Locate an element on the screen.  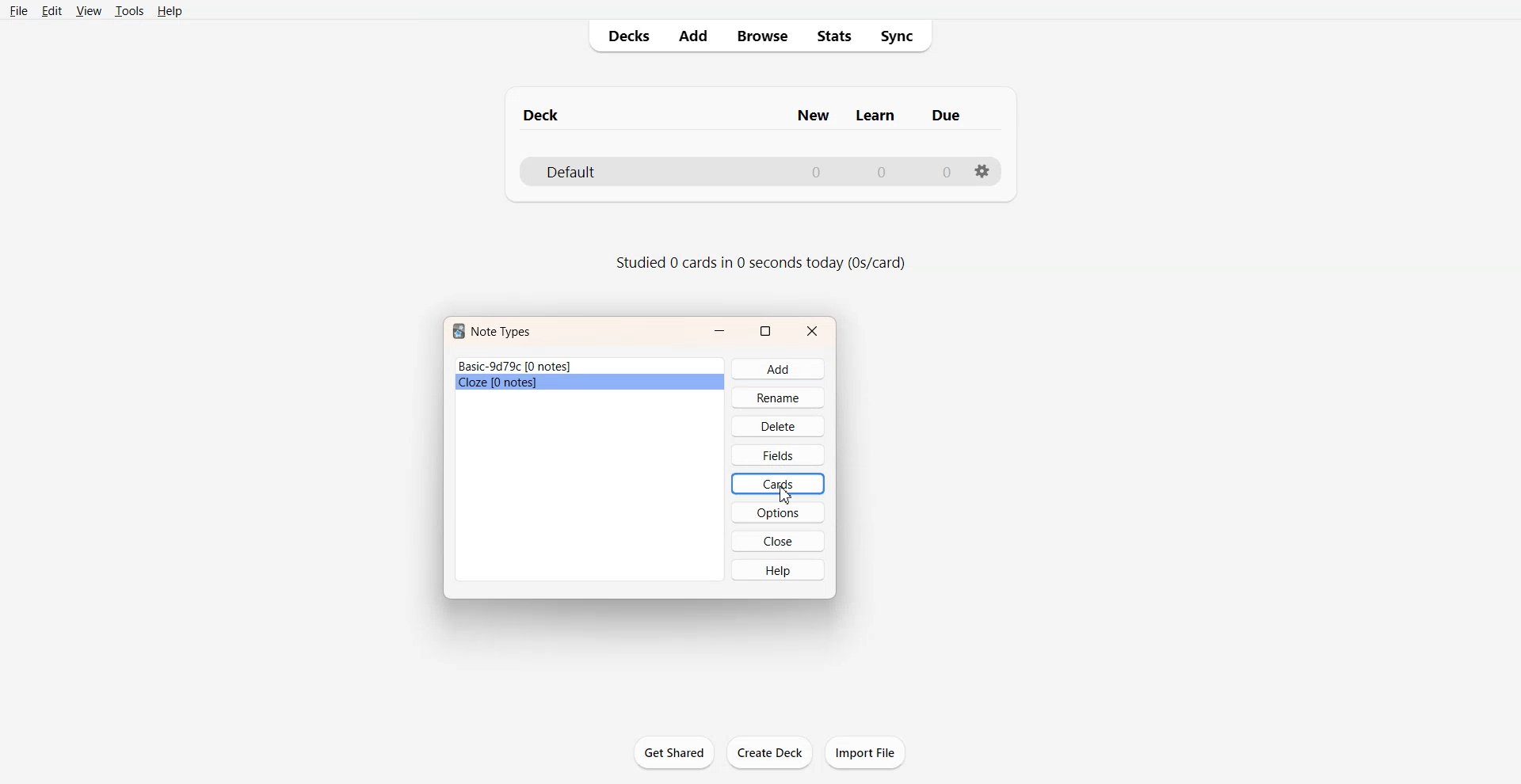
Cursor is located at coordinates (786, 495).